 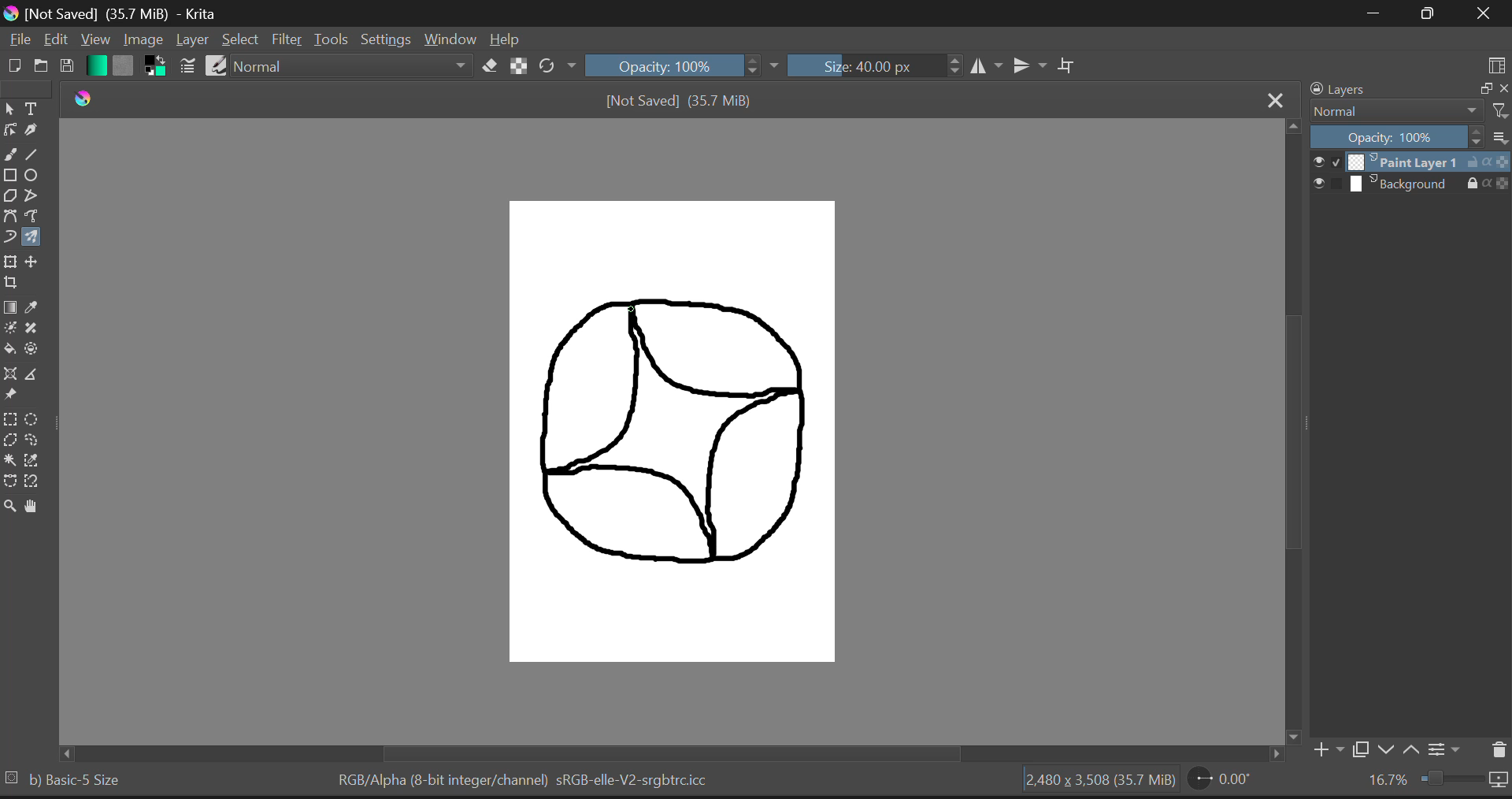 I want to click on Pan, so click(x=35, y=507).